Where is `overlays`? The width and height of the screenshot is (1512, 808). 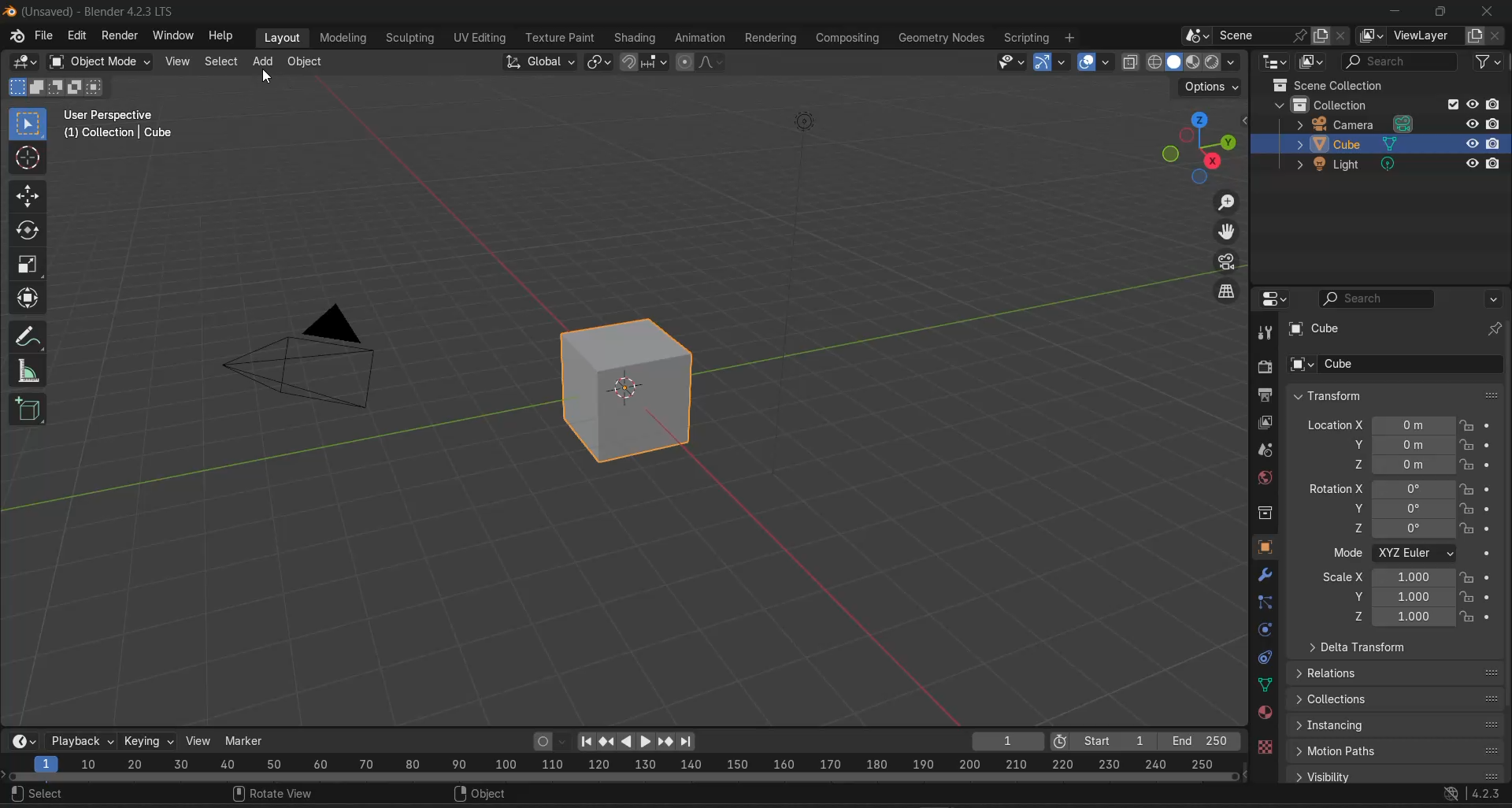
overlays is located at coordinates (1111, 61).